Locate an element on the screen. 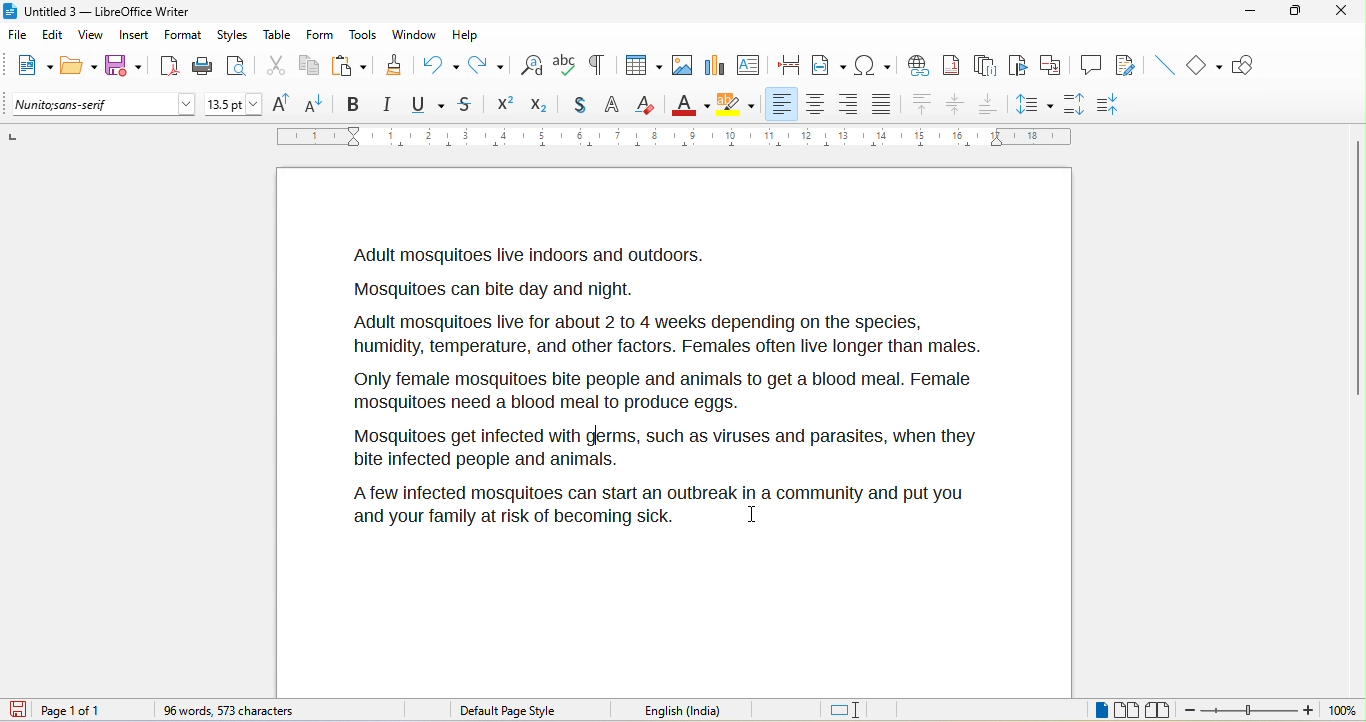  zoom is located at coordinates (1272, 711).